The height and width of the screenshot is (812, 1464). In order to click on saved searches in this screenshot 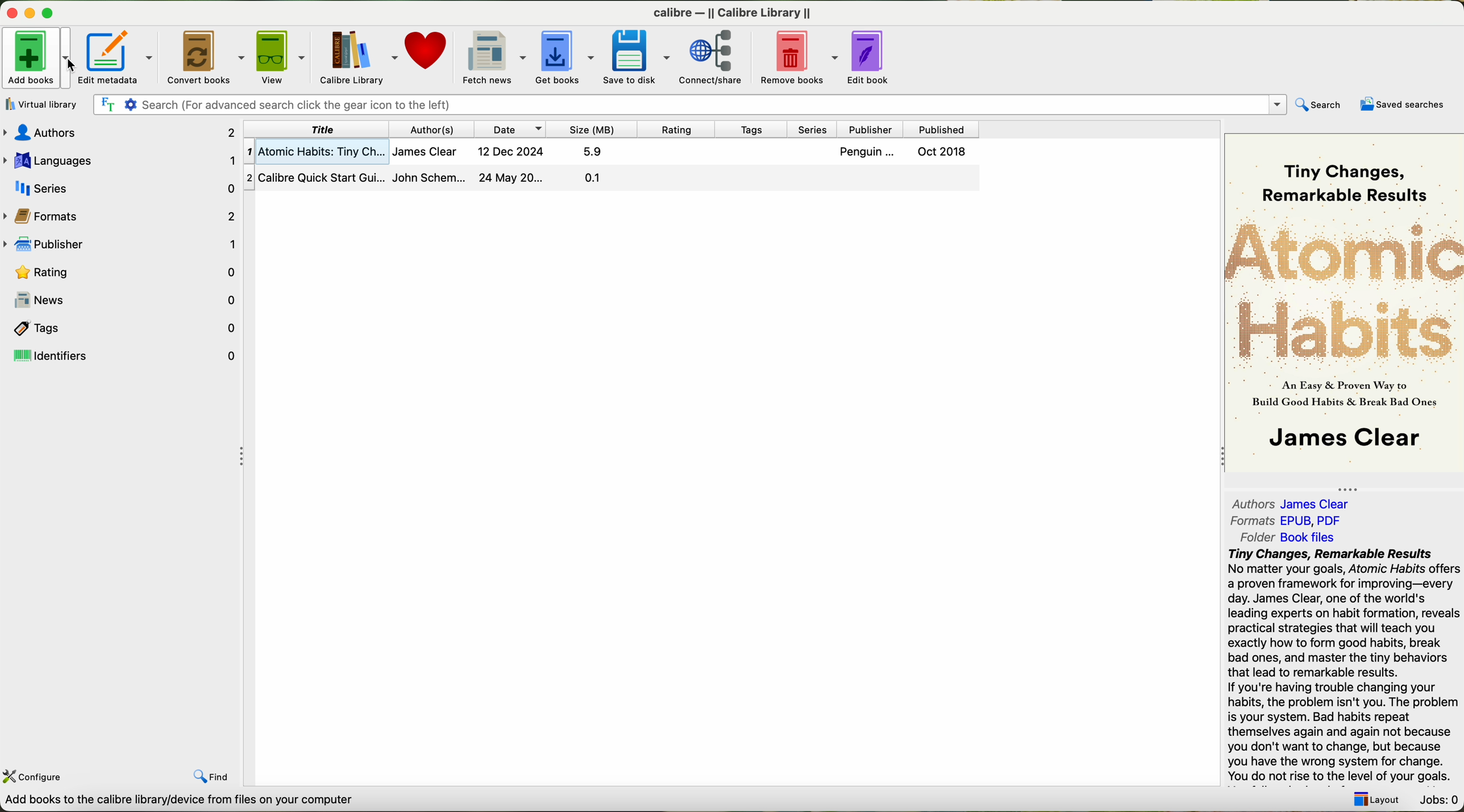, I will do `click(1401, 104)`.